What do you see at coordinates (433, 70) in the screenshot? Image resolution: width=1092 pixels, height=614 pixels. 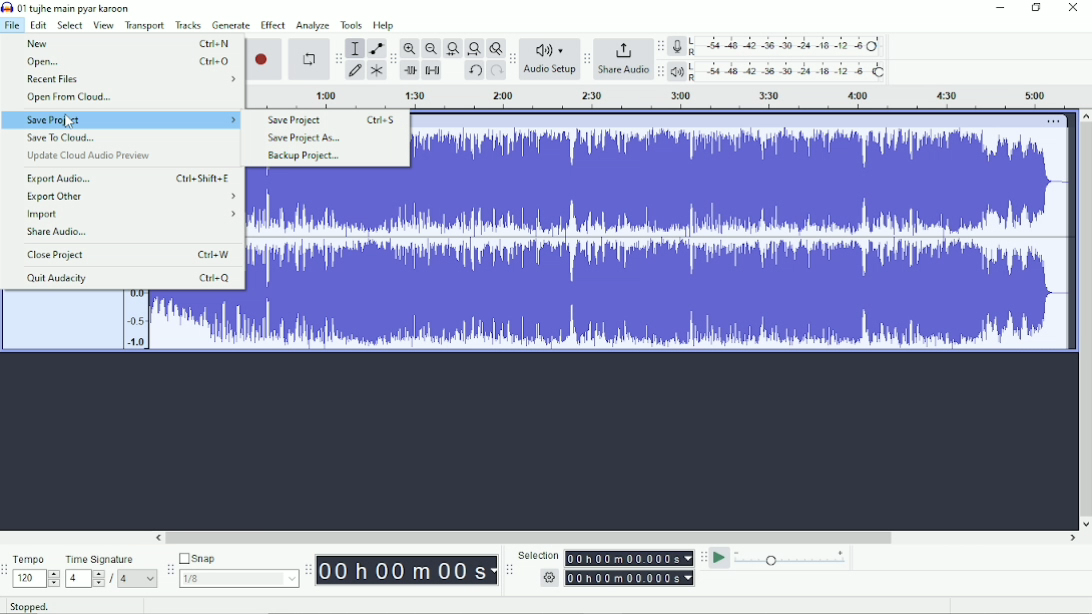 I see `Silence audio selection` at bounding box center [433, 70].